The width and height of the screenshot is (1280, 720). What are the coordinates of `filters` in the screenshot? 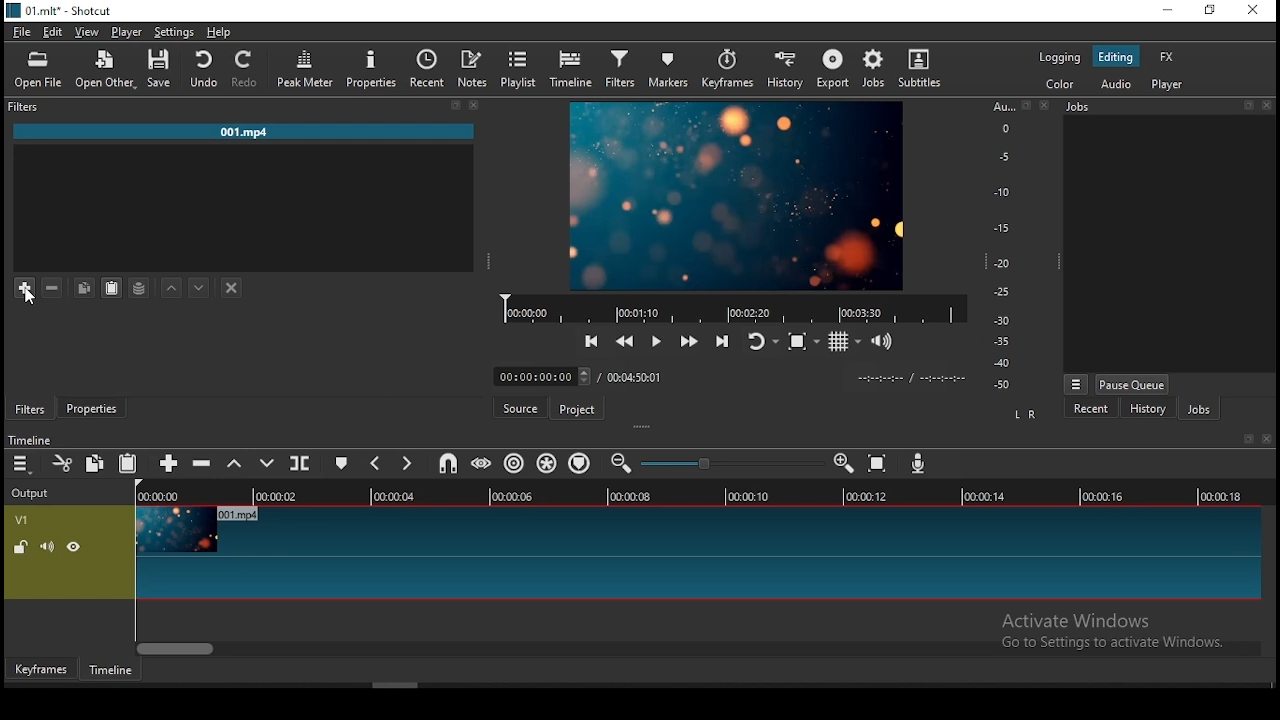 It's located at (35, 409).